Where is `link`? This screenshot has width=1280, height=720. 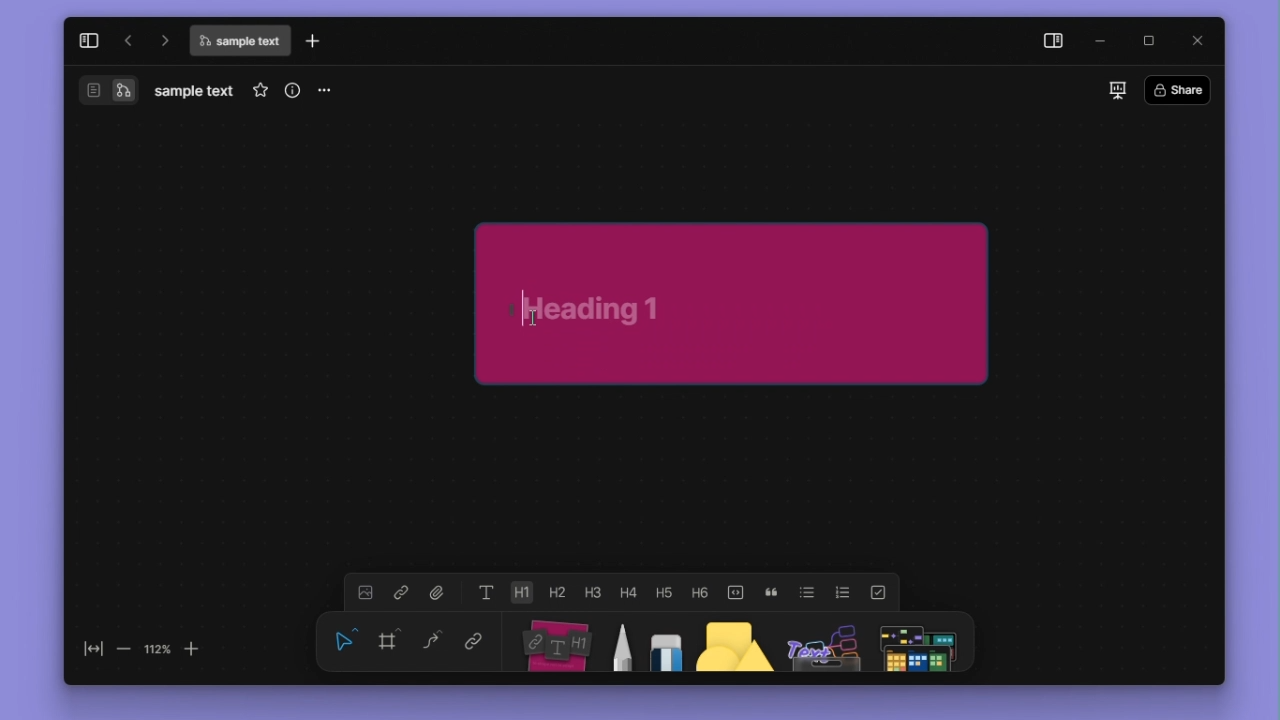
link is located at coordinates (474, 639).